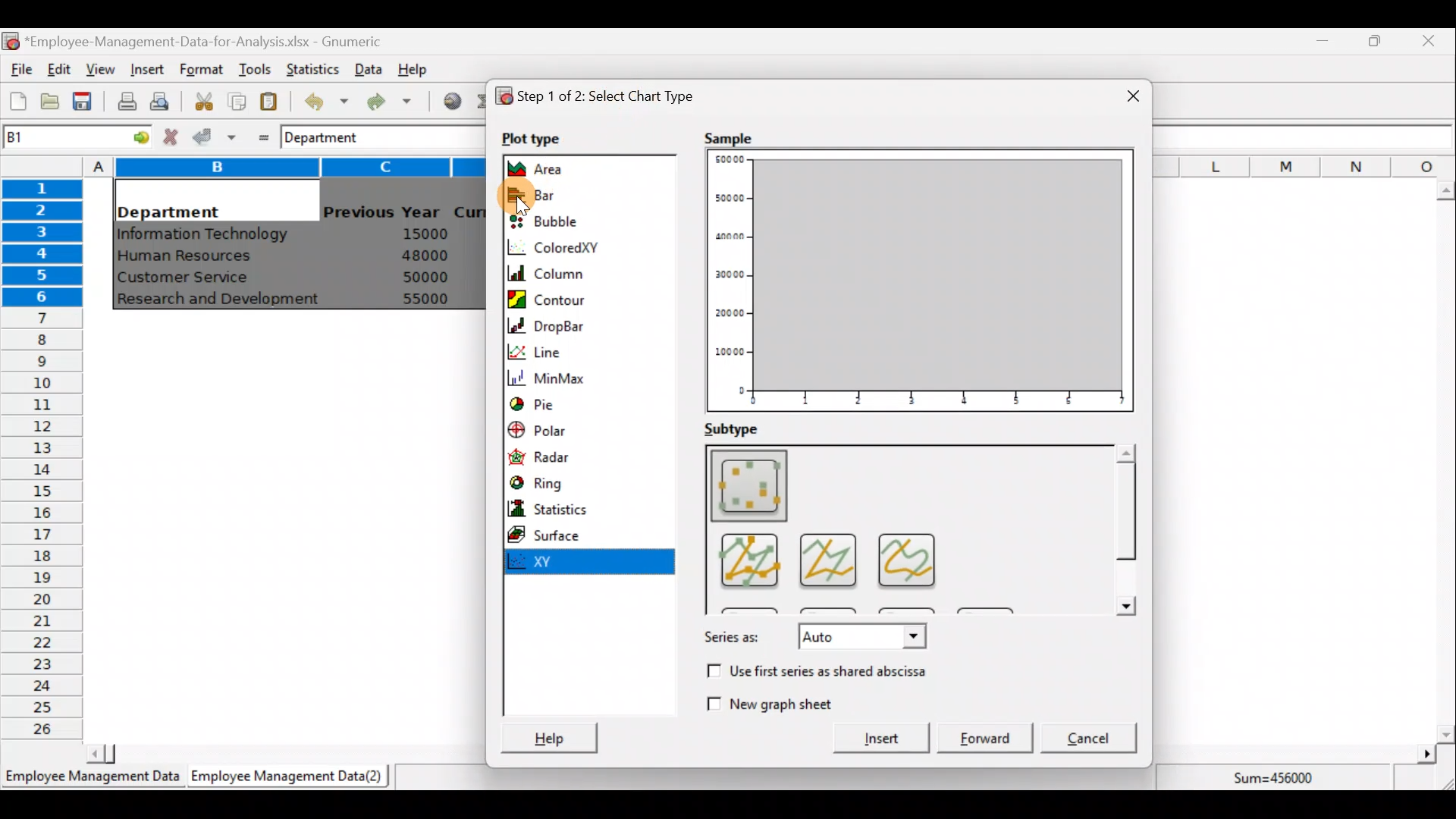  Describe the element at coordinates (545, 140) in the screenshot. I see `Plot type` at that location.